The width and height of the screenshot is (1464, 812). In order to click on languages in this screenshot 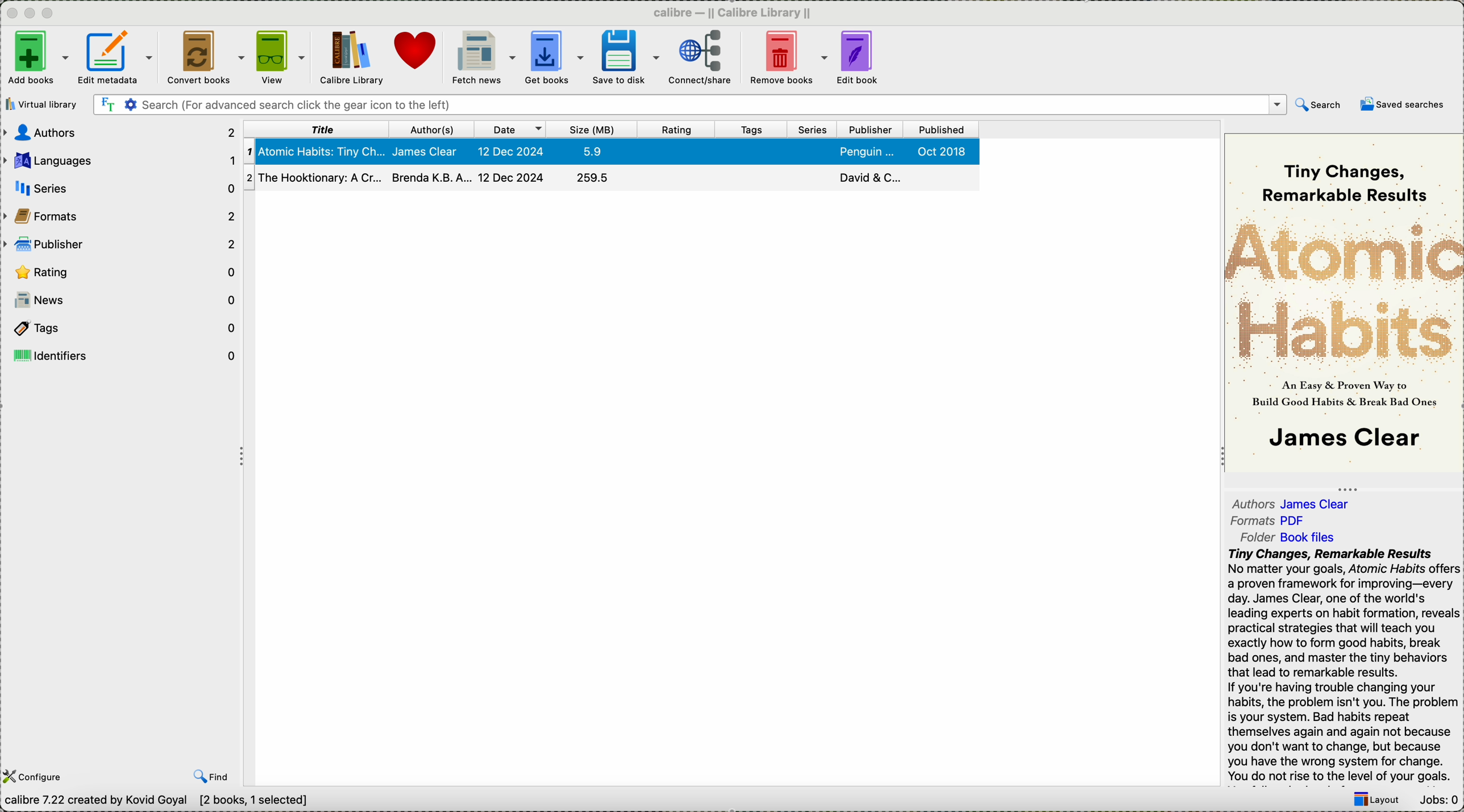, I will do `click(120, 160)`.